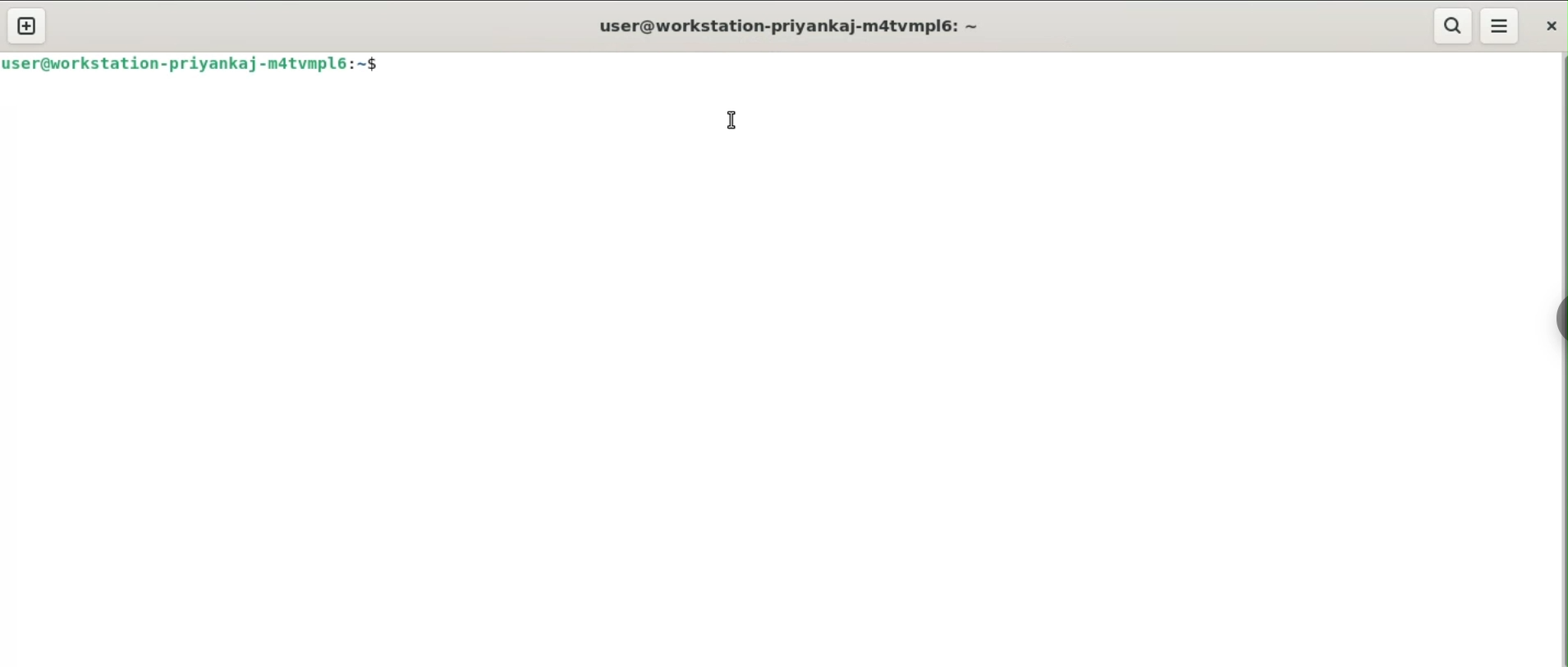  What do you see at coordinates (25, 25) in the screenshot?
I see `new tab` at bounding box center [25, 25].